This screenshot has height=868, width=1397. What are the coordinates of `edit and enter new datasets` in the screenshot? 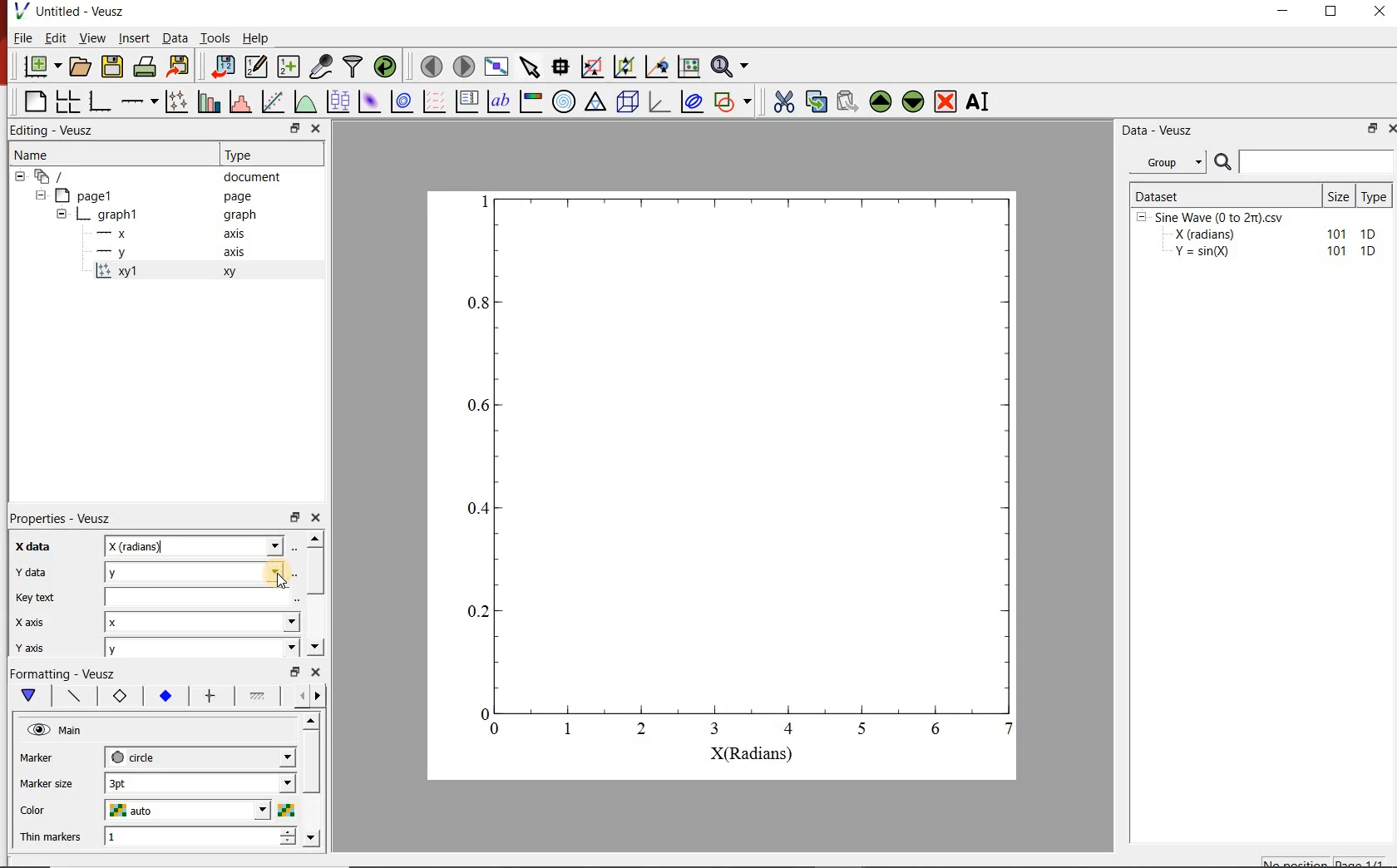 It's located at (257, 67).